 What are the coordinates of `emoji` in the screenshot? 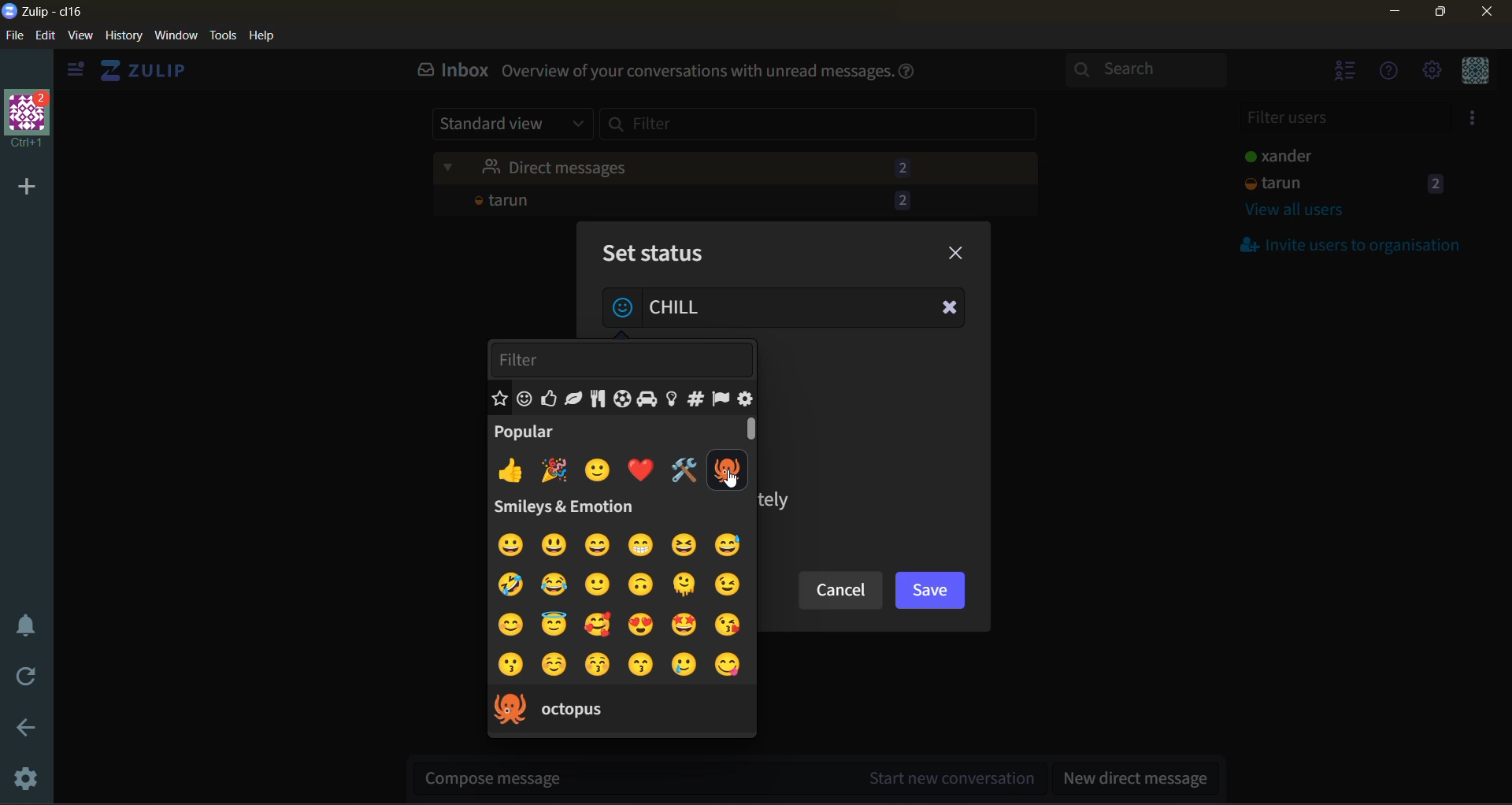 It's located at (507, 664).